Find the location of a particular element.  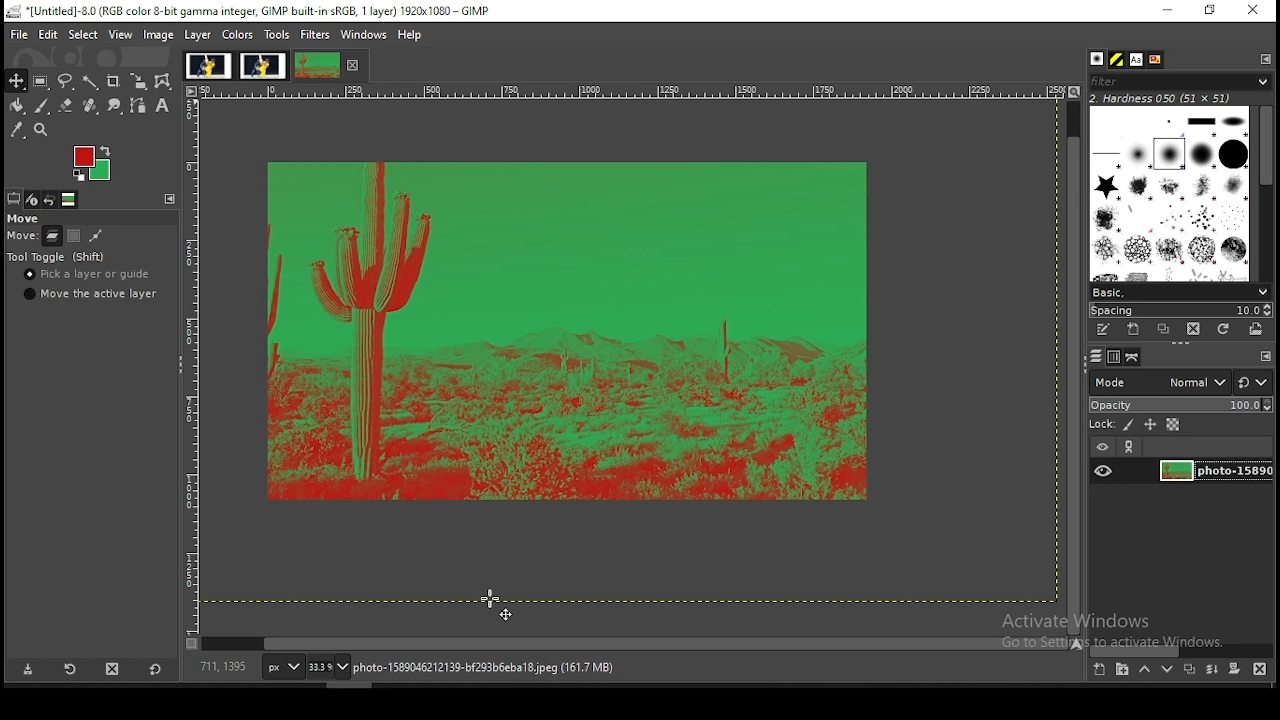

move paths is located at coordinates (95, 236).